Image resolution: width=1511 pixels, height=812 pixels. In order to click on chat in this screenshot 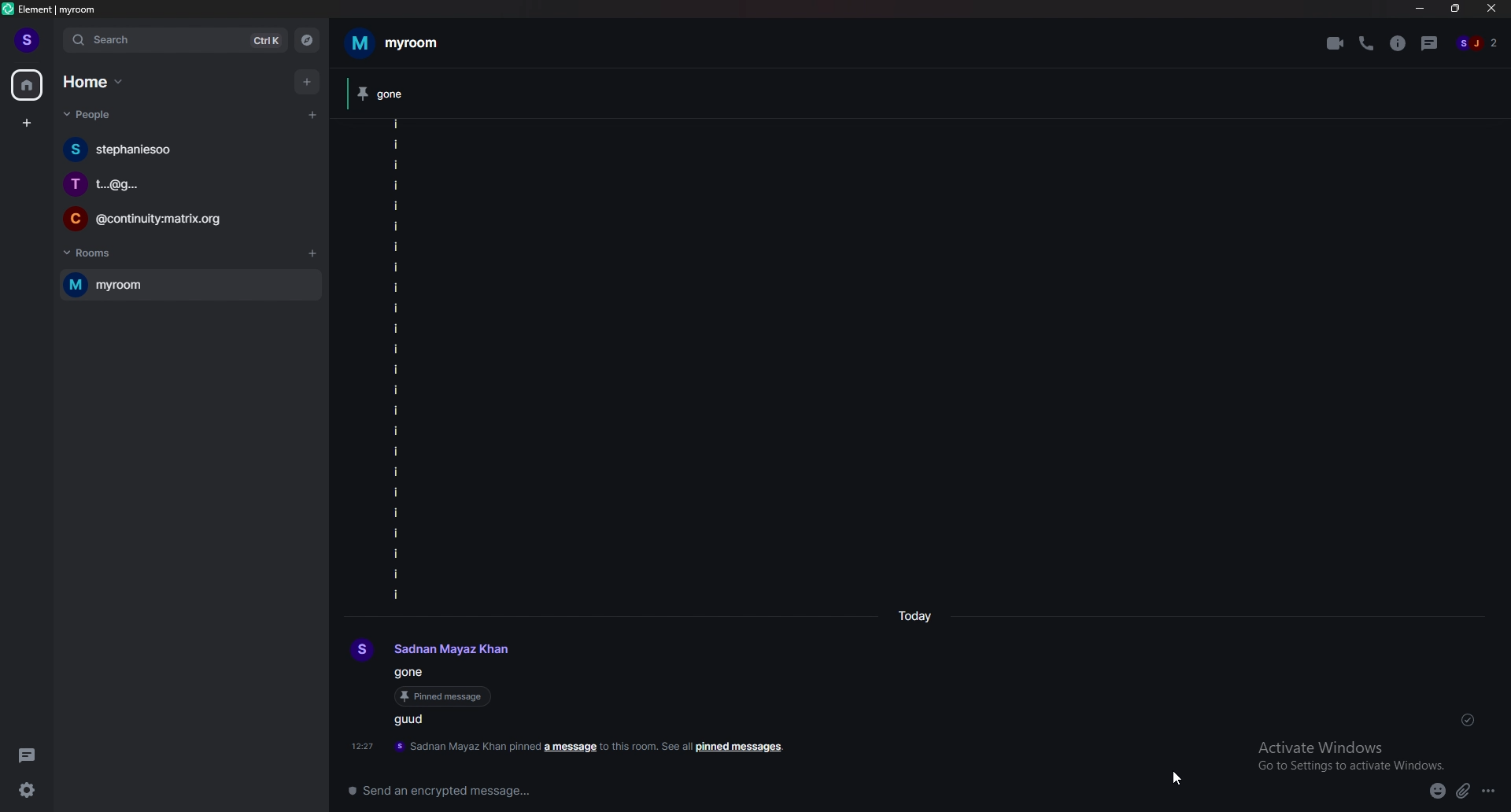, I will do `click(184, 183)`.